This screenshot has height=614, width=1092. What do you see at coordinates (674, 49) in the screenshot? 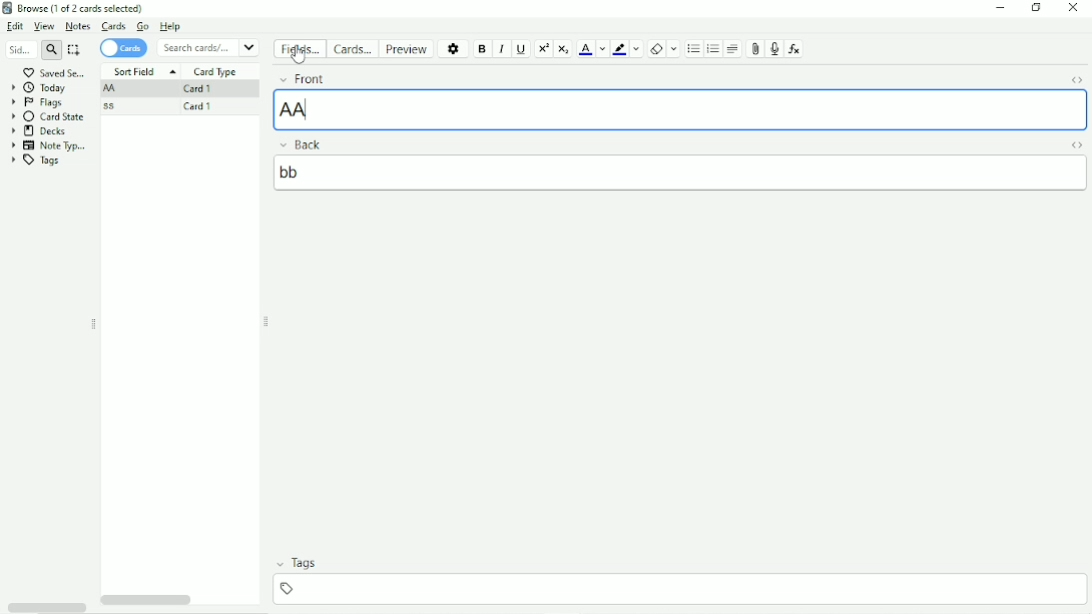
I see `Select formatting to remove` at bounding box center [674, 49].